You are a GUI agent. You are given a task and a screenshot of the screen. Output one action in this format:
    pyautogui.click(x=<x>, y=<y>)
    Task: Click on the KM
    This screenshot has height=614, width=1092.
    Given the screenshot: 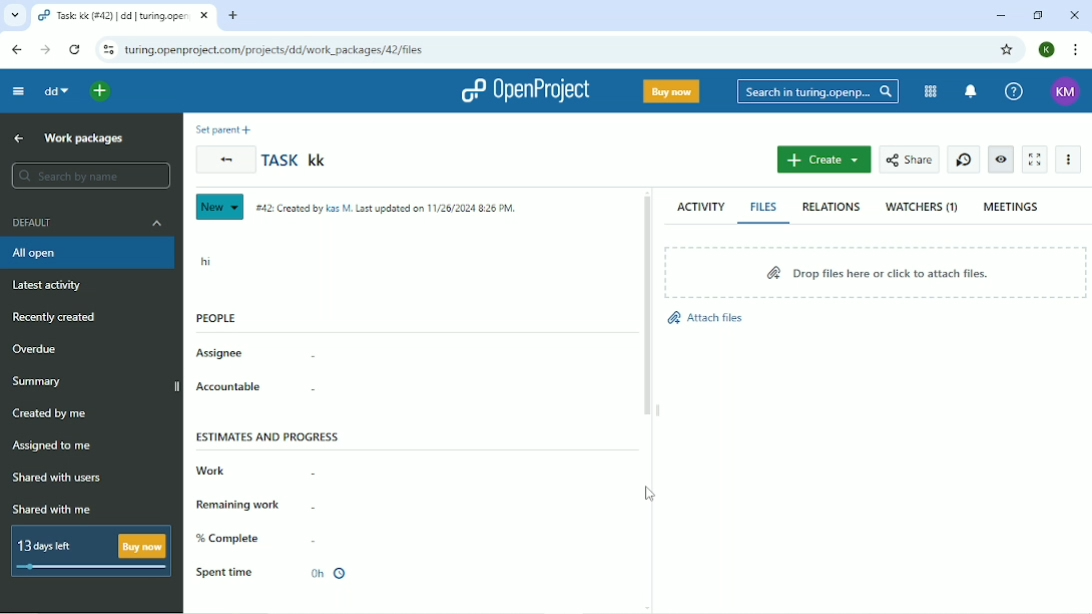 What is the action you would take?
    pyautogui.click(x=1065, y=92)
    